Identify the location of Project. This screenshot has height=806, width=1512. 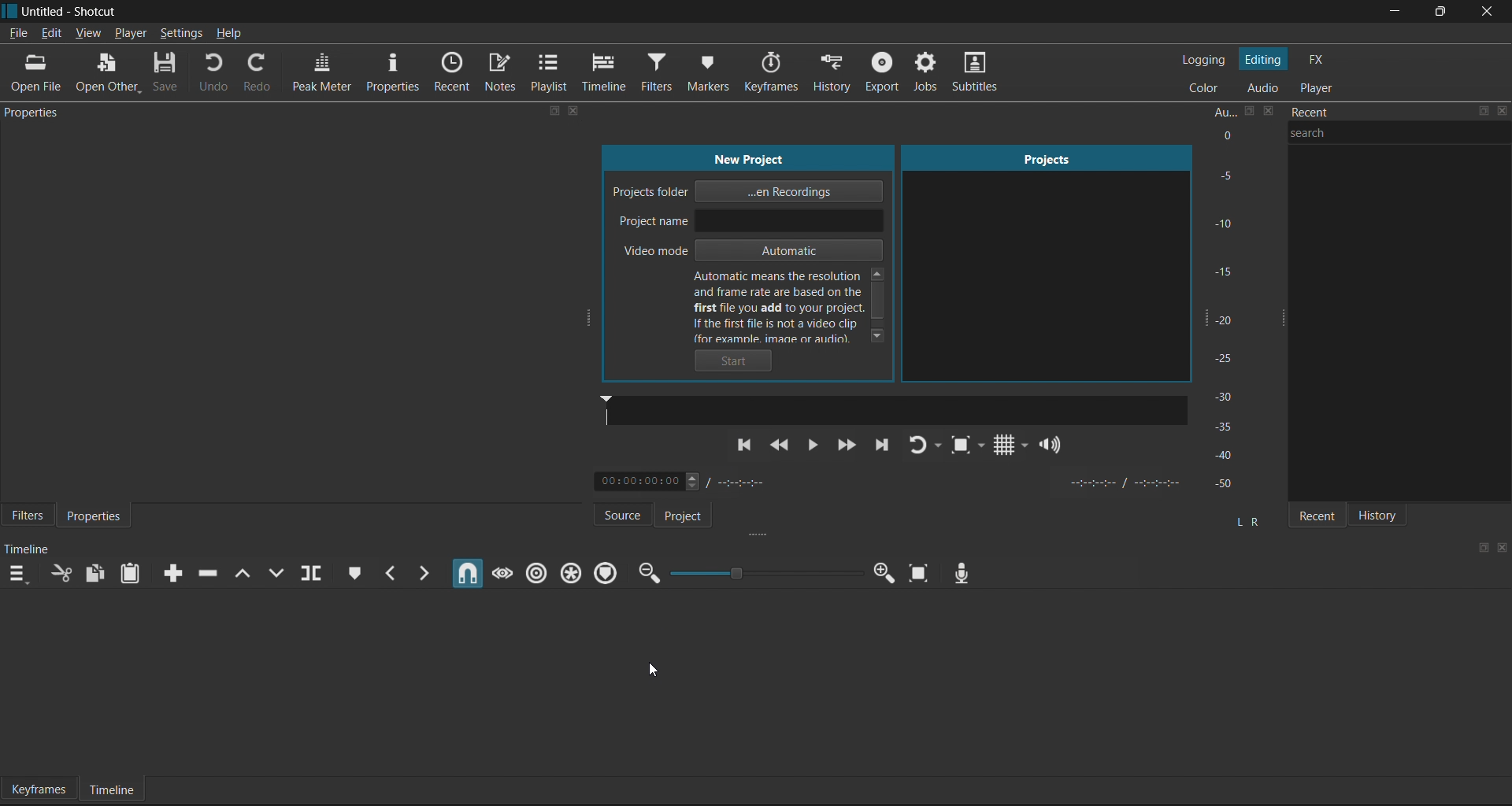
(695, 516).